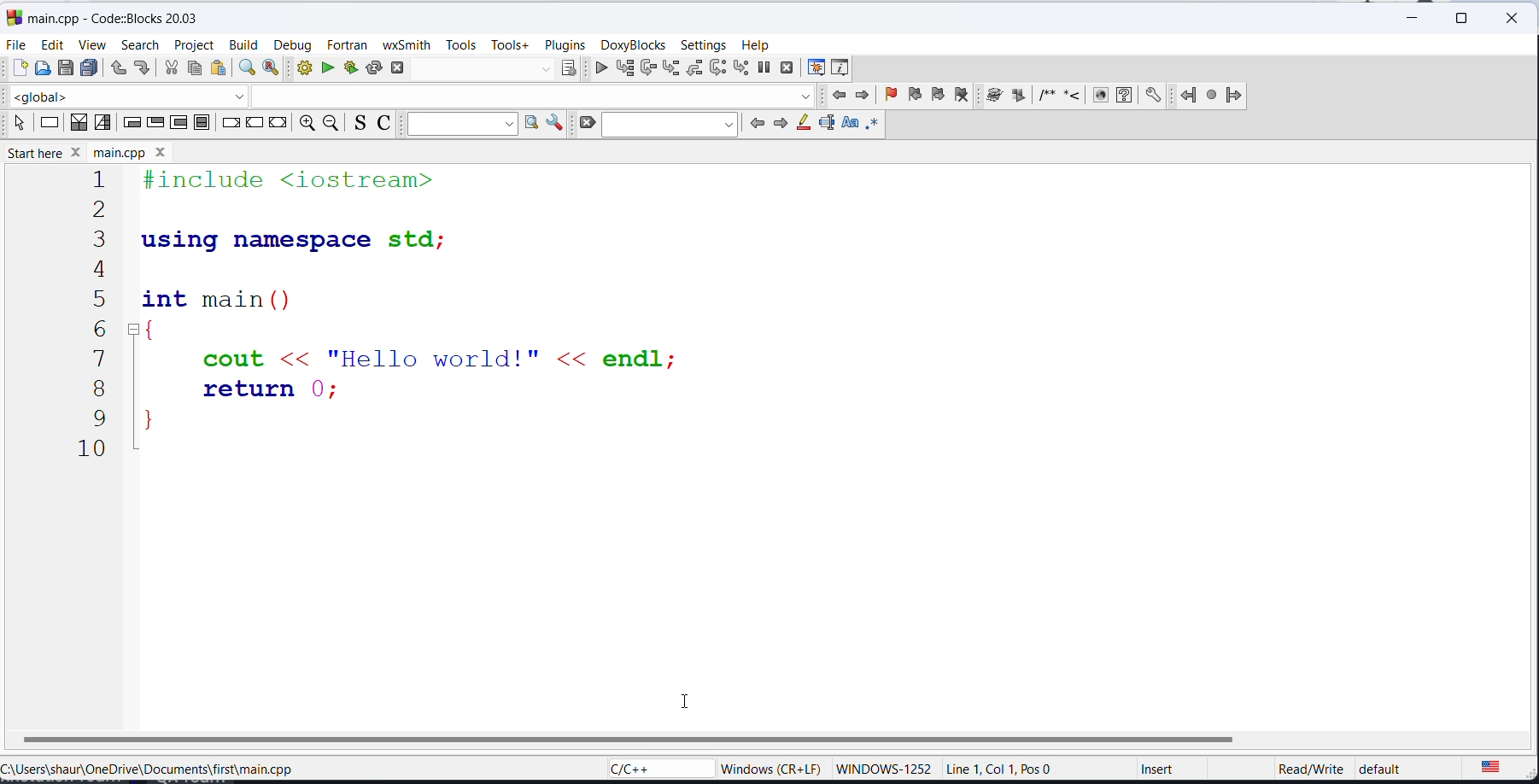 Image resolution: width=1539 pixels, height=784 pixels. I want to click on select, so click(18, 125).